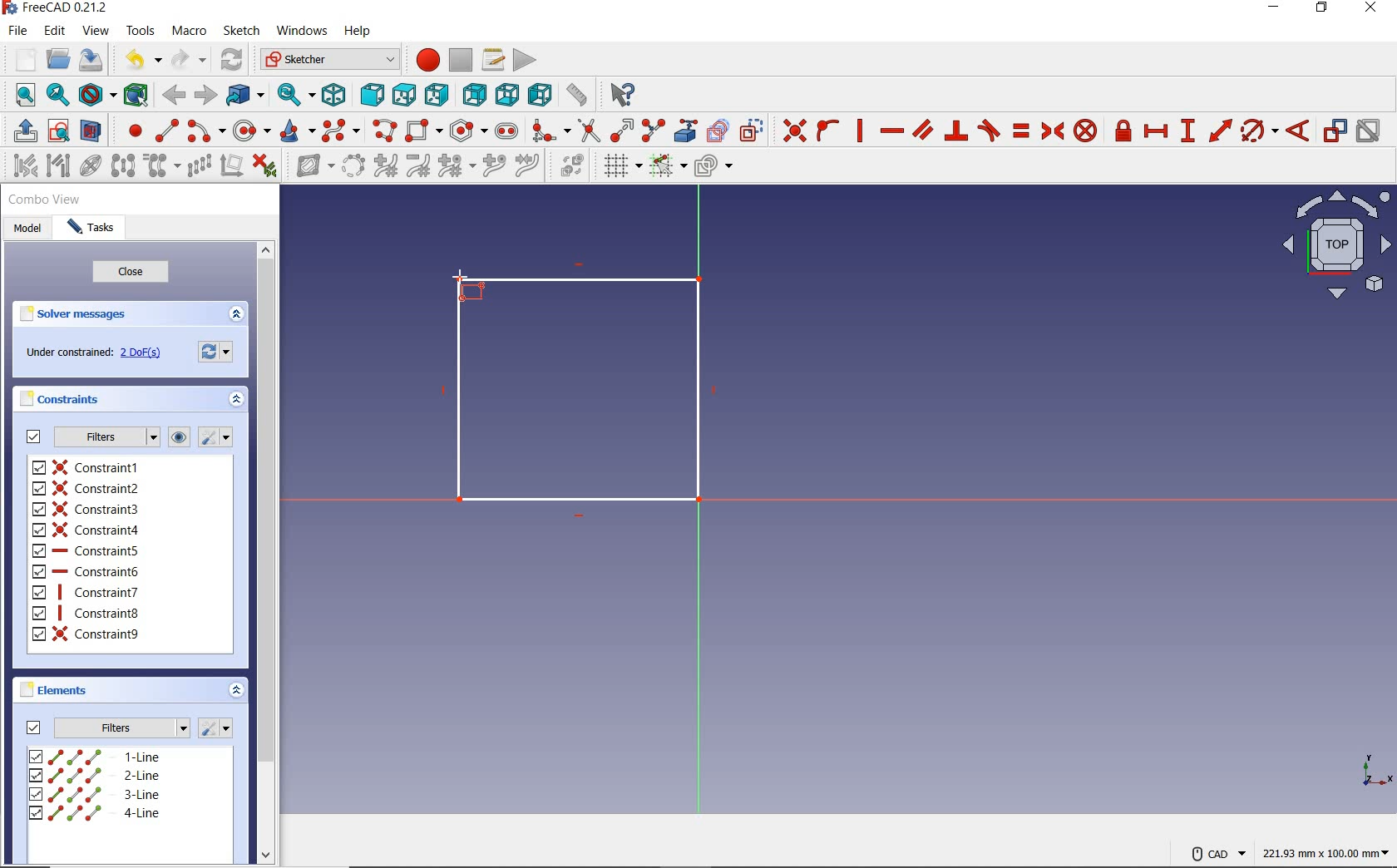 This screenshot has width=1397, height=868. Describe the element at coordinates (827, 131) in the screenshot. I see `constrain point onto object` at that location.